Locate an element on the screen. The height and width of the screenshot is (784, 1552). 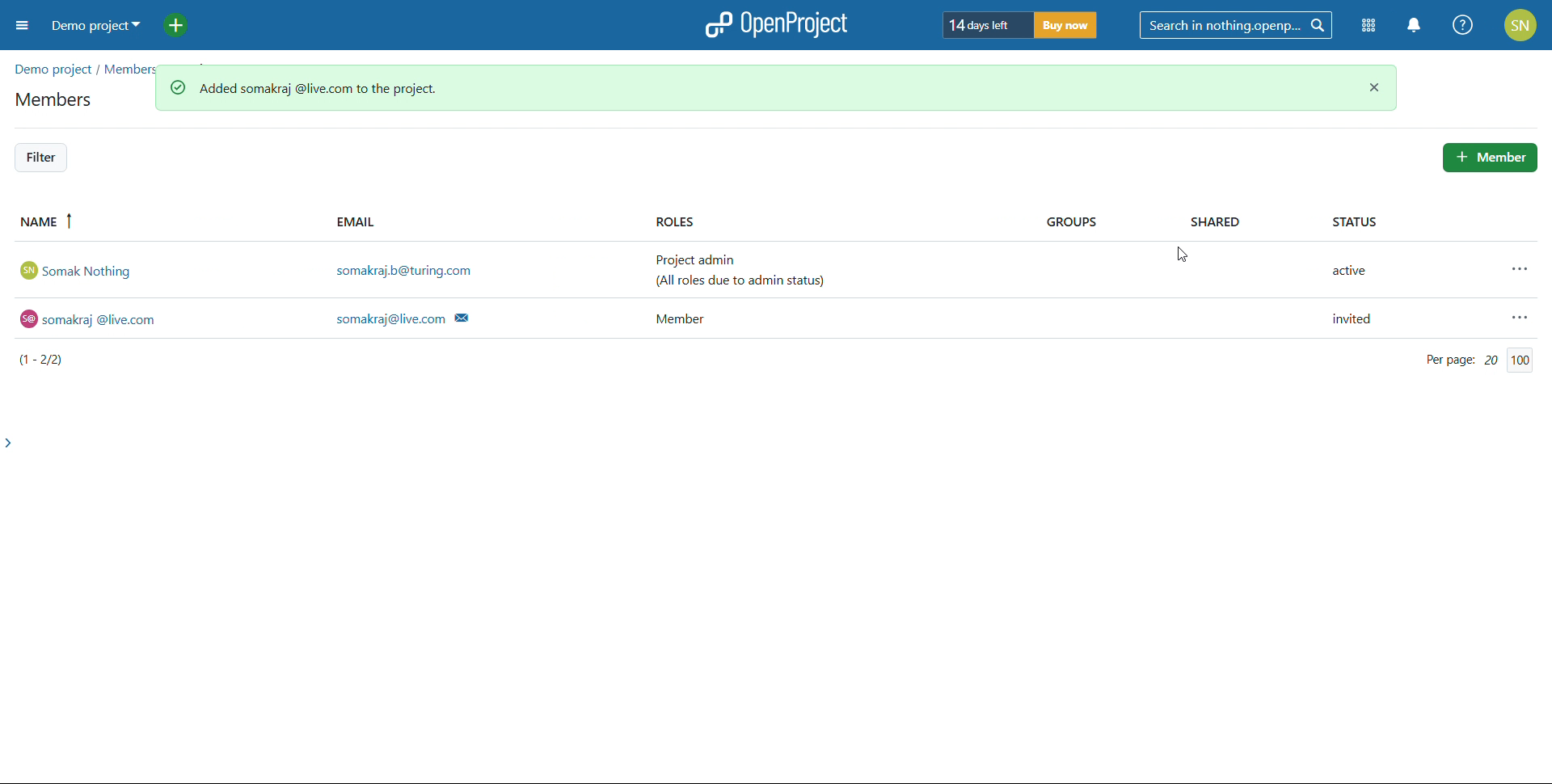
more actions is located at coordinates (1508, 269).